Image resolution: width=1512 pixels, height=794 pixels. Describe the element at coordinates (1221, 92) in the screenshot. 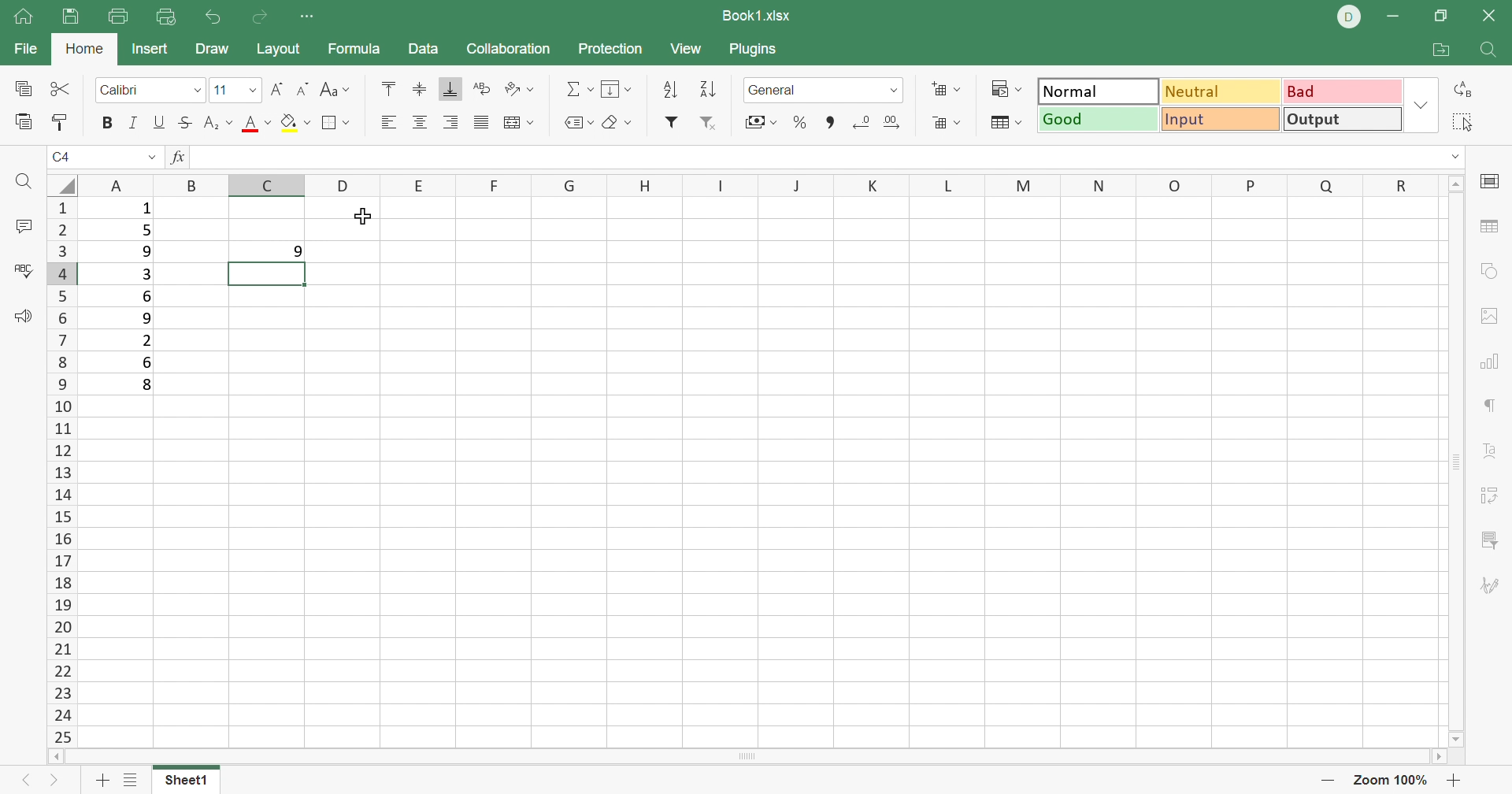

I see `Neutral` at that location.